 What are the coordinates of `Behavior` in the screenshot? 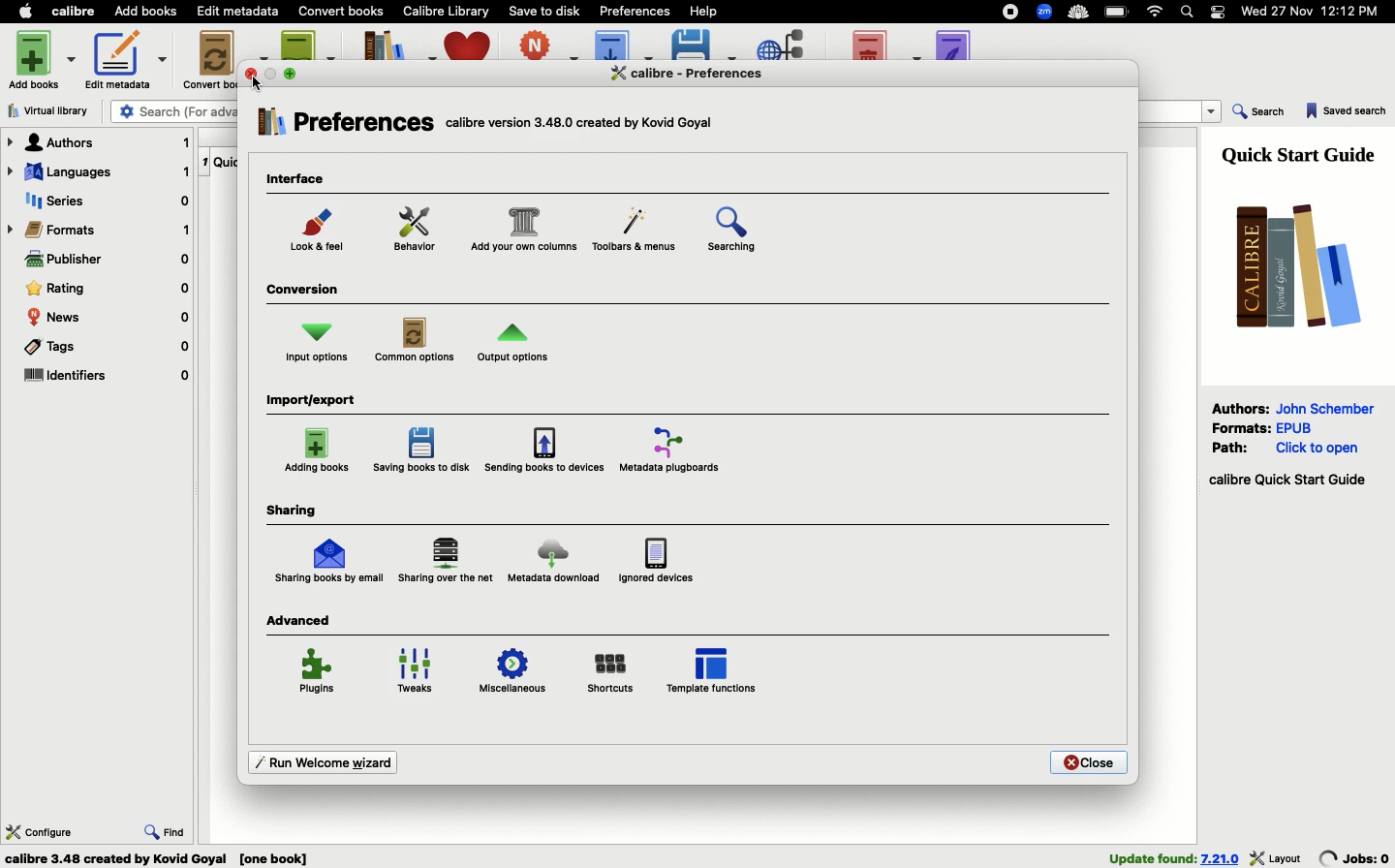 It's located at (416, 230).